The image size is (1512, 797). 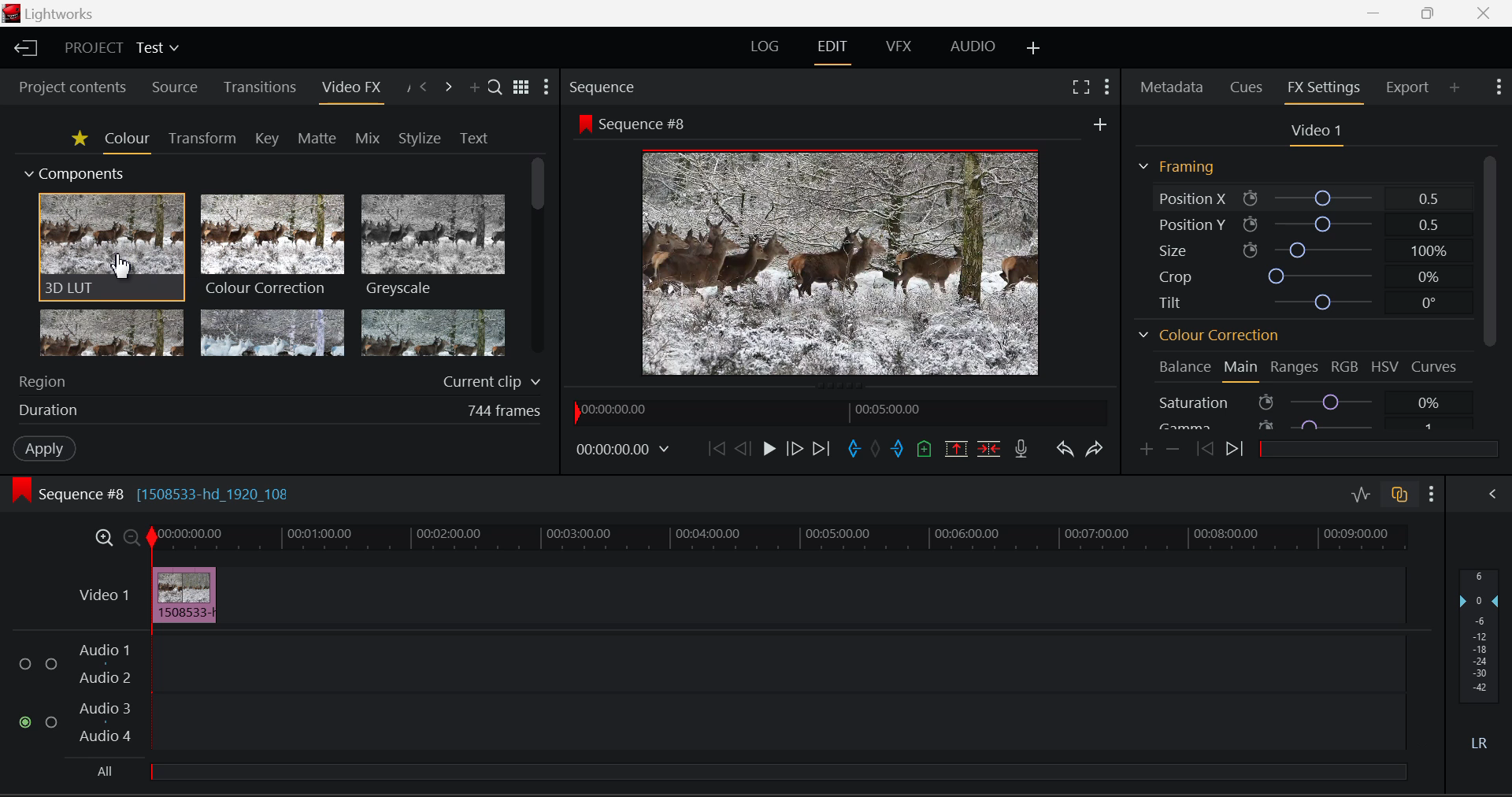 I want to click on VFX Layout, so click(x=901, y=47).